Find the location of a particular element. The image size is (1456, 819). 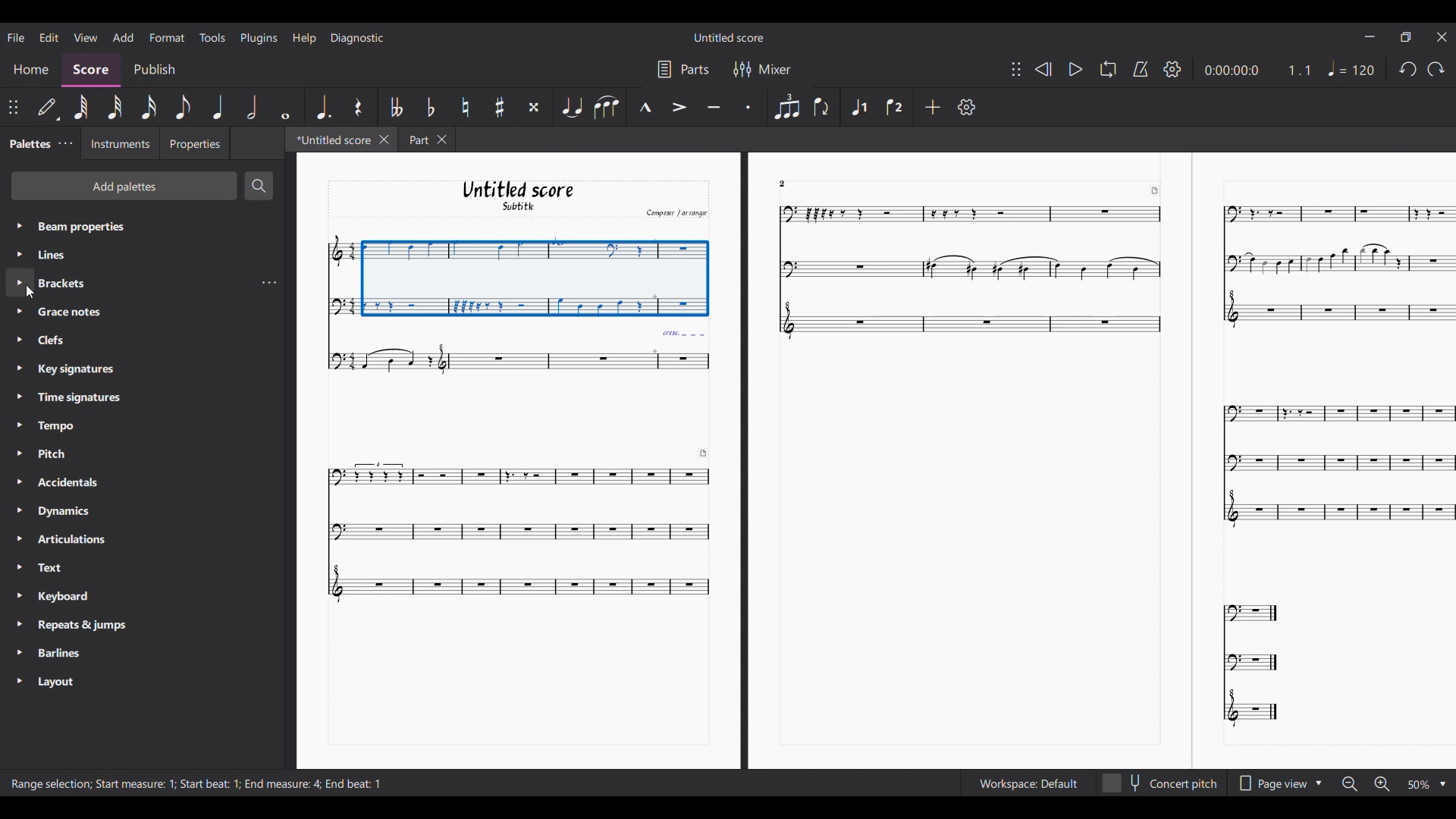

Toggle double flat is located at coordinates (397, 106).